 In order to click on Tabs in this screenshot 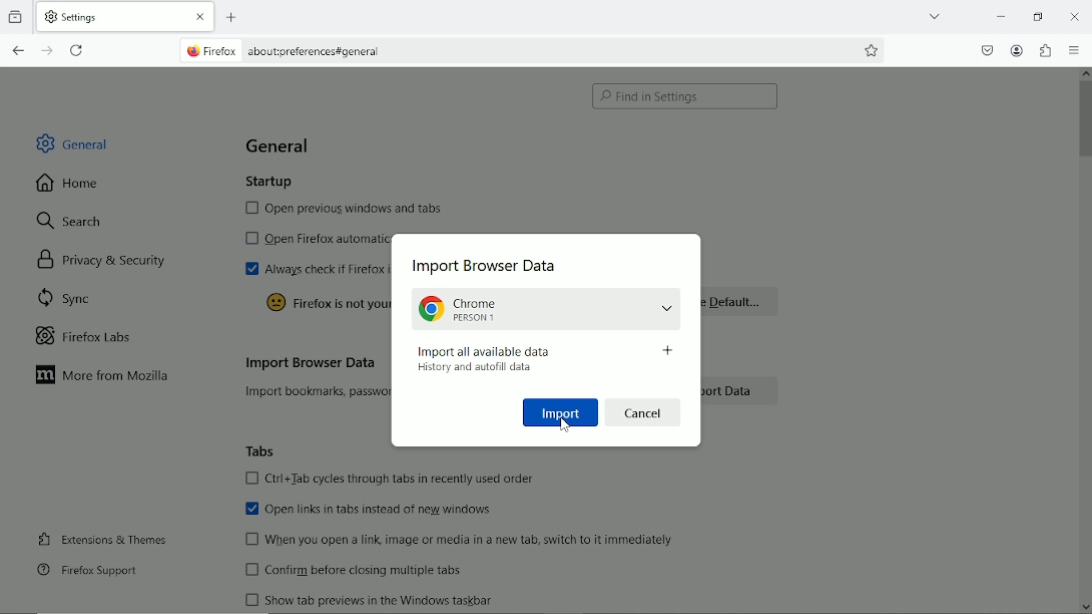, I will do `click(262, 450)`.